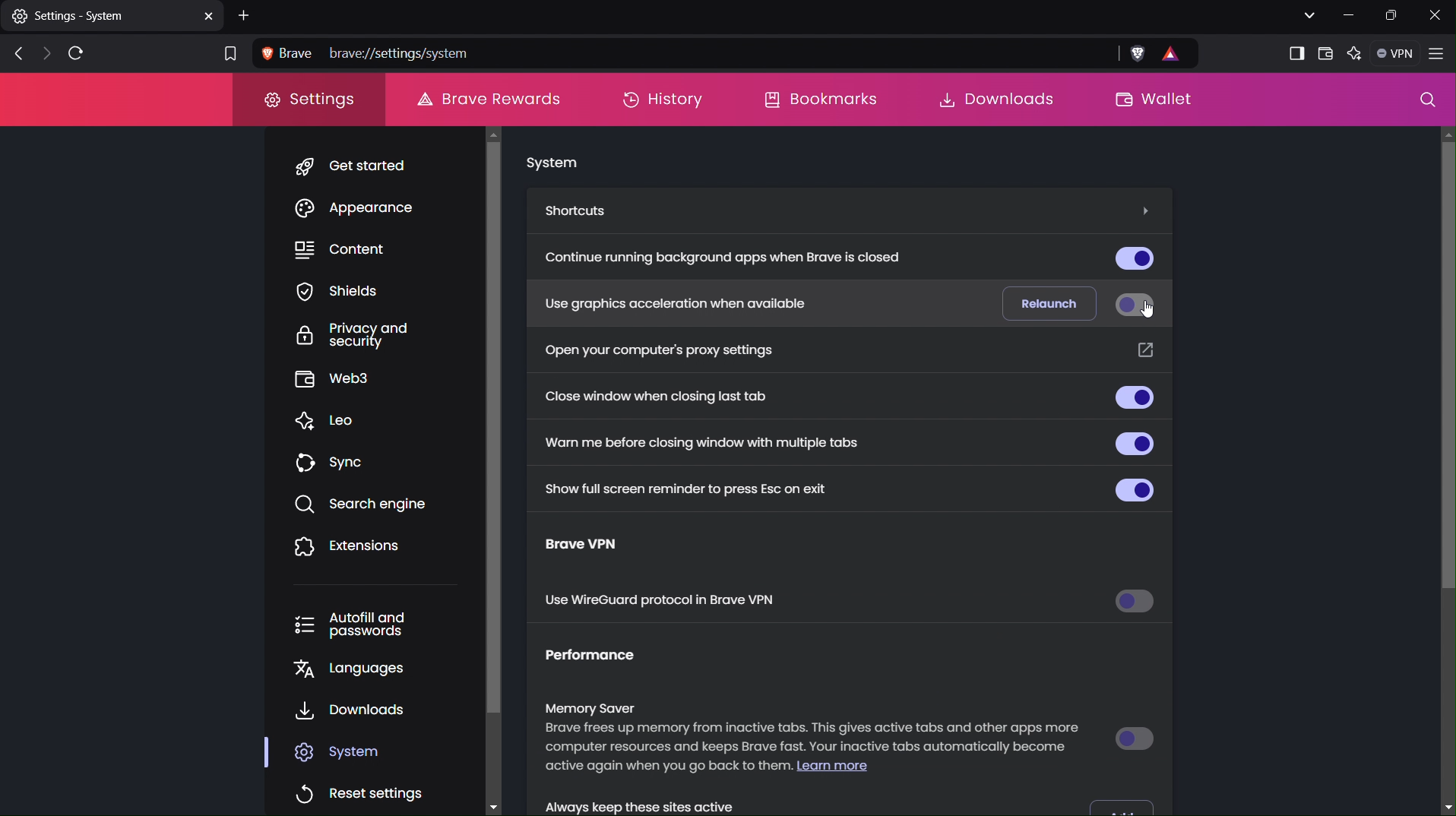  What do you see at coordinates (1392, 15) in the screenshot?
I see `Maximize` at bounding box center [1392, 15].